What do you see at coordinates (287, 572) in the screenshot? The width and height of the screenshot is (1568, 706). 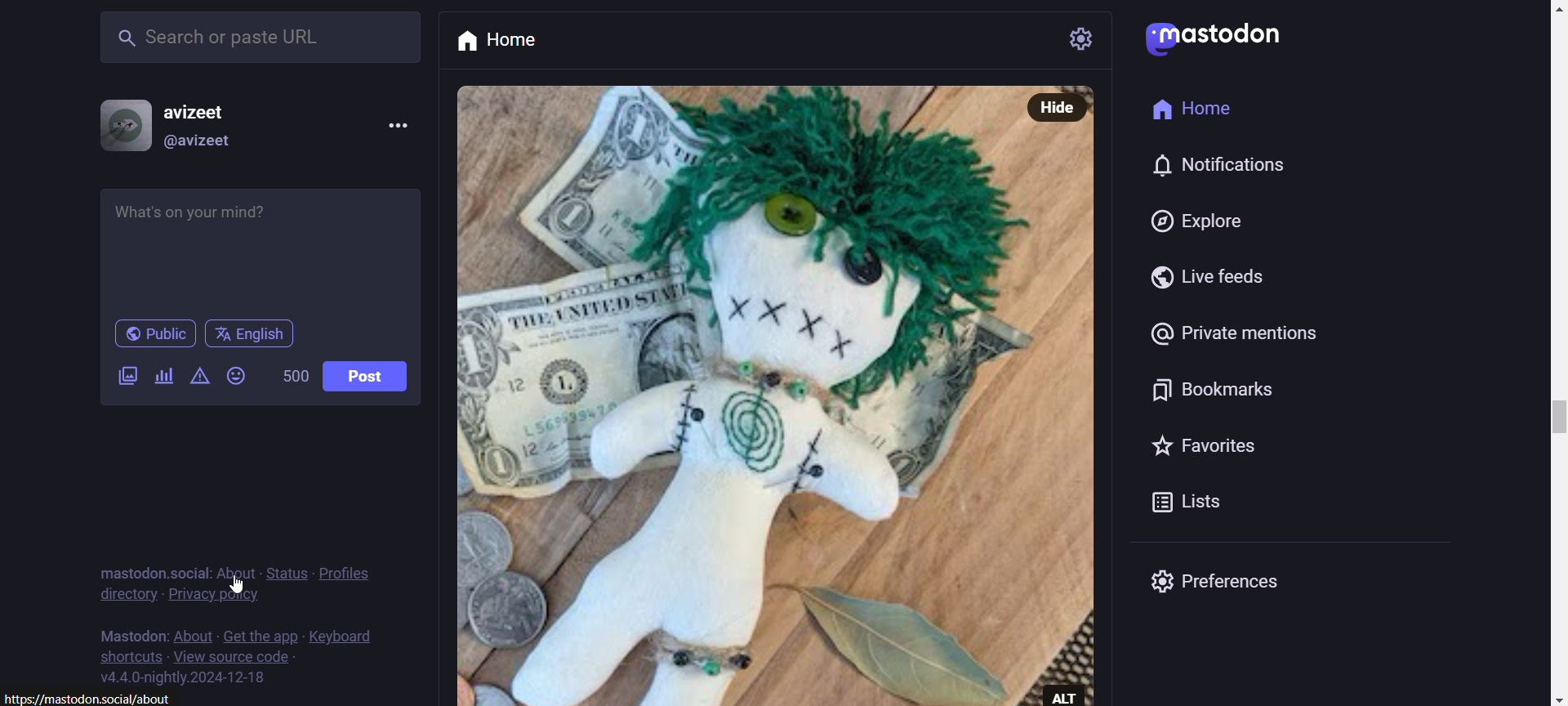 I see `status` at bounding box center [287, 572].